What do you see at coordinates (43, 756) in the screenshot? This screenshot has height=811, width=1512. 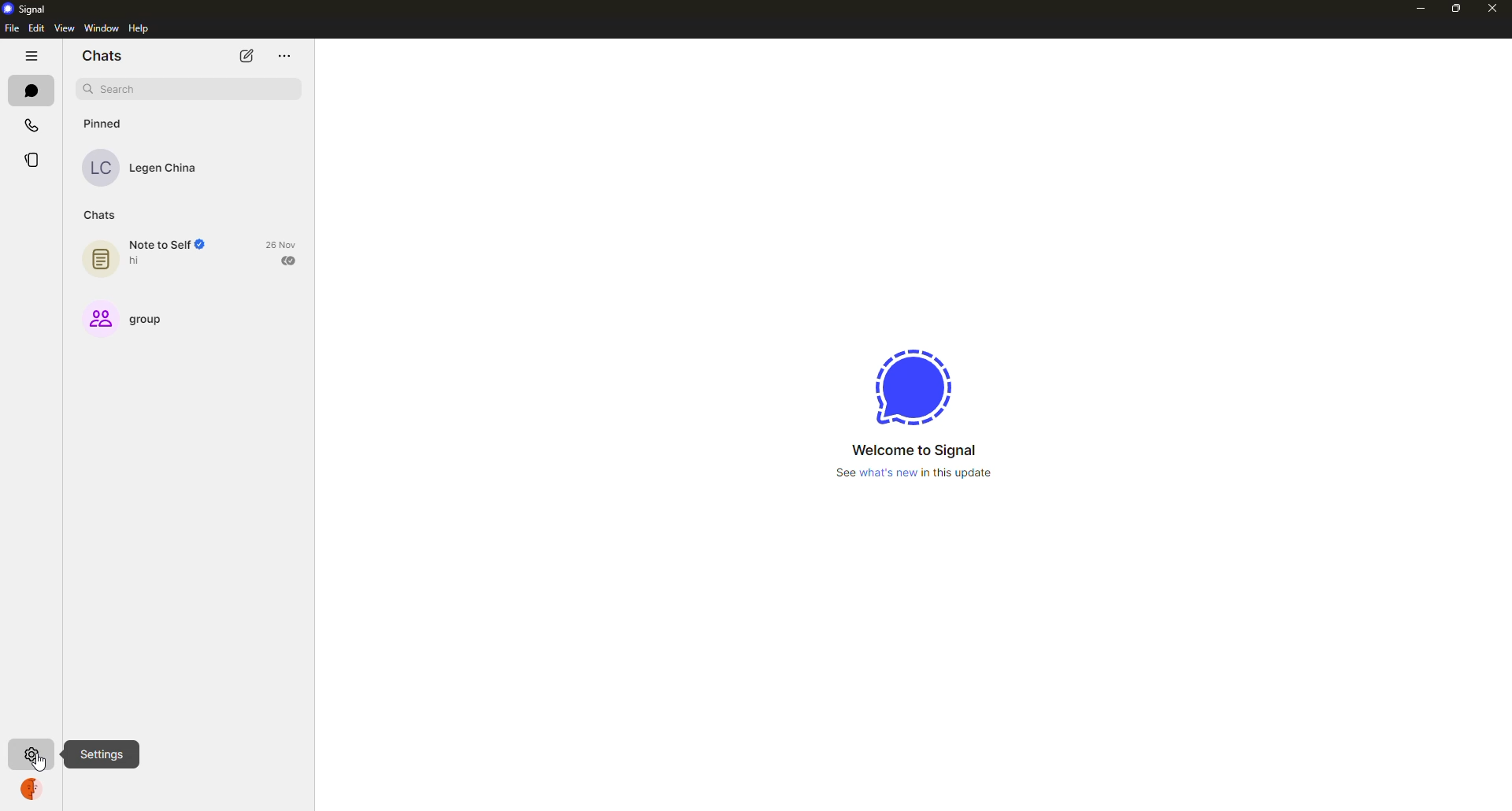 I see `cursor` at bounding box center [43, 756].